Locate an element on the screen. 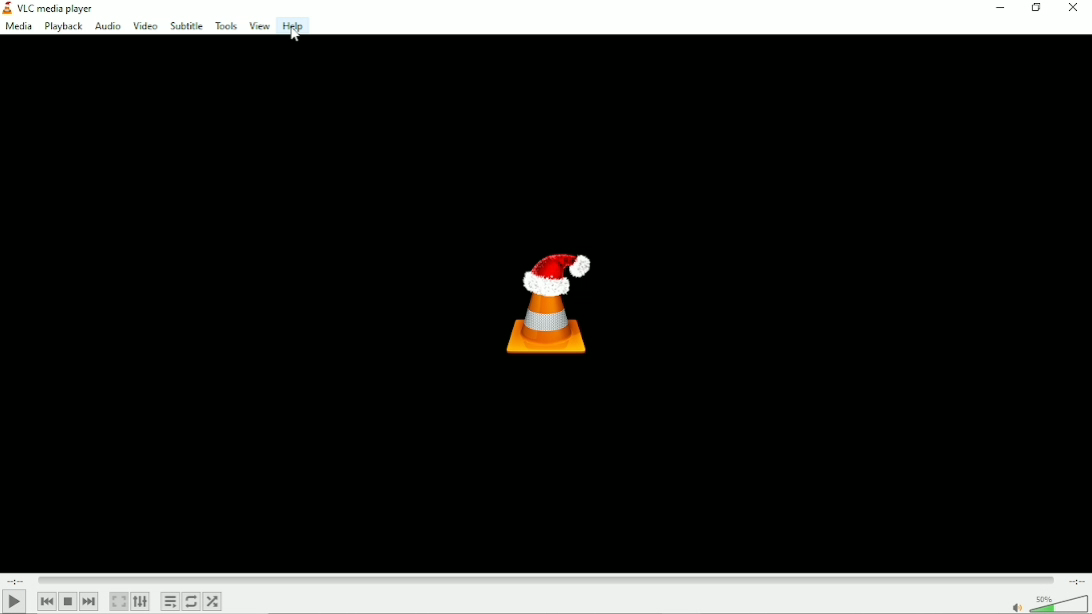 The image size is (1092, 614). Play duration is located at coordinates (544, 581).